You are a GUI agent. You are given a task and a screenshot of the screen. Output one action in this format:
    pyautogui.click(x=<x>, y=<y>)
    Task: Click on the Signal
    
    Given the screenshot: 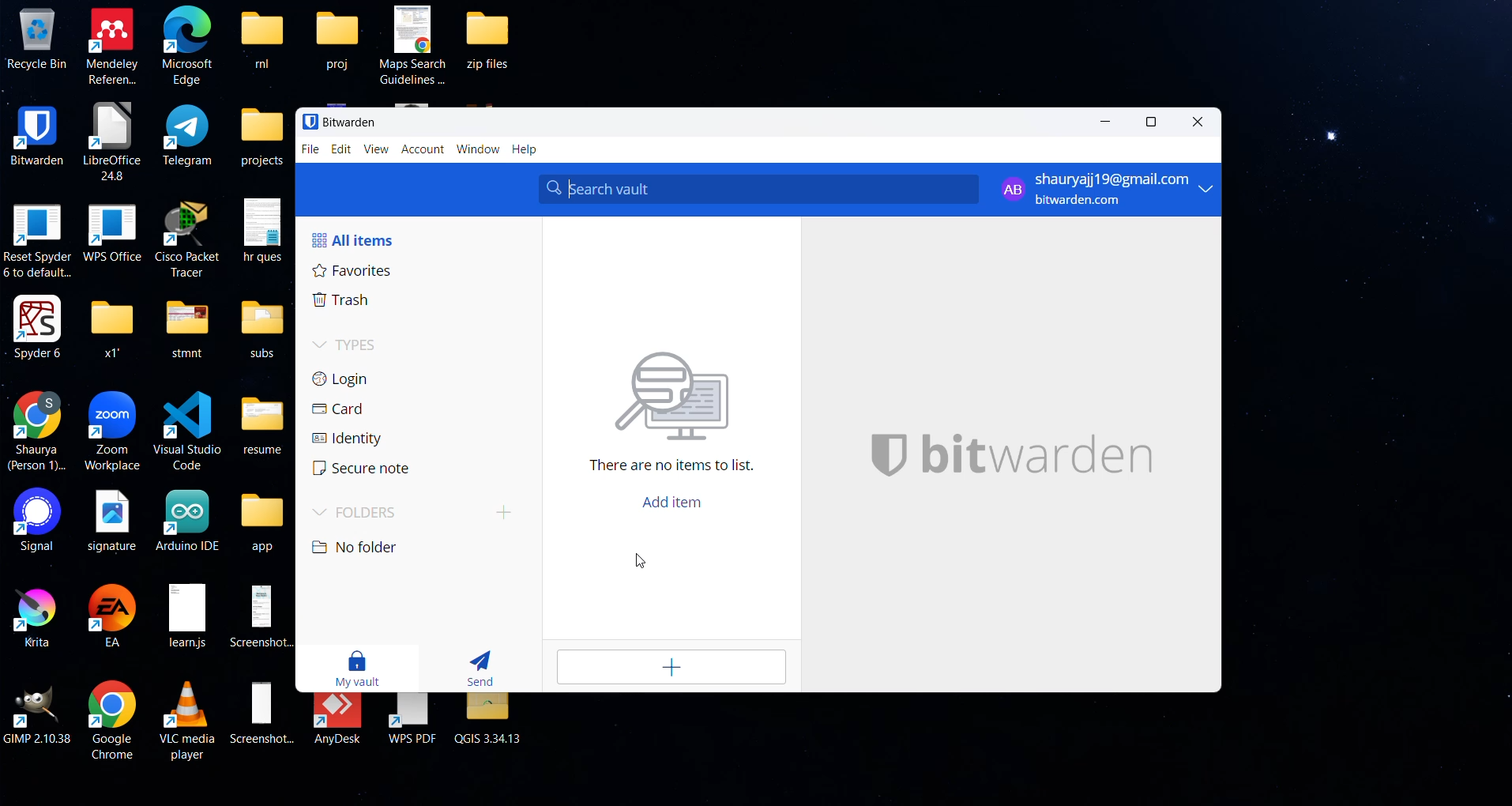 What is the action you would take?
    pyautogui.click(x=32, y=521)
    